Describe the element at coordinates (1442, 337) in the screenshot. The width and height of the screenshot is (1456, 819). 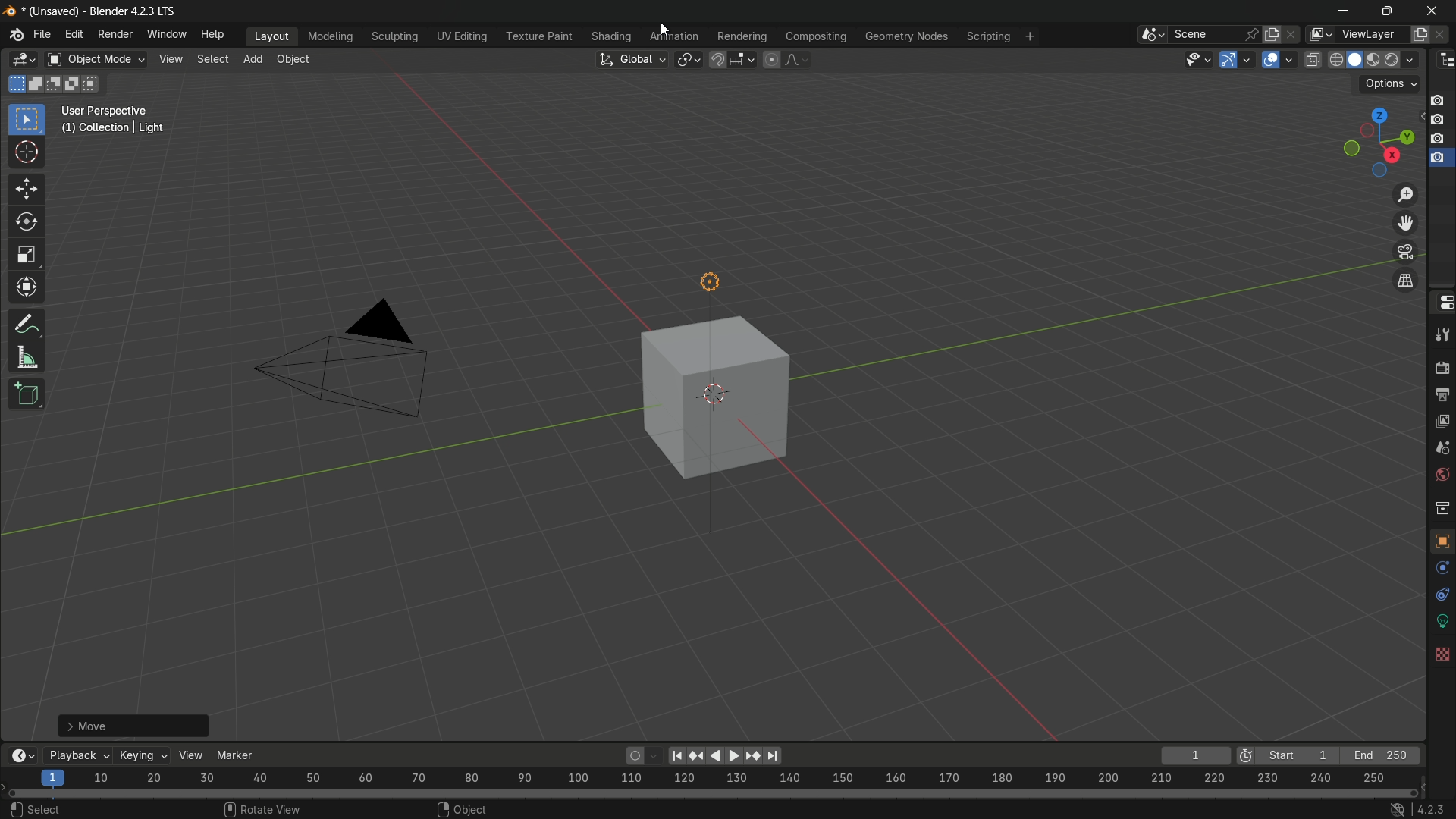
I see `tools` at that location.